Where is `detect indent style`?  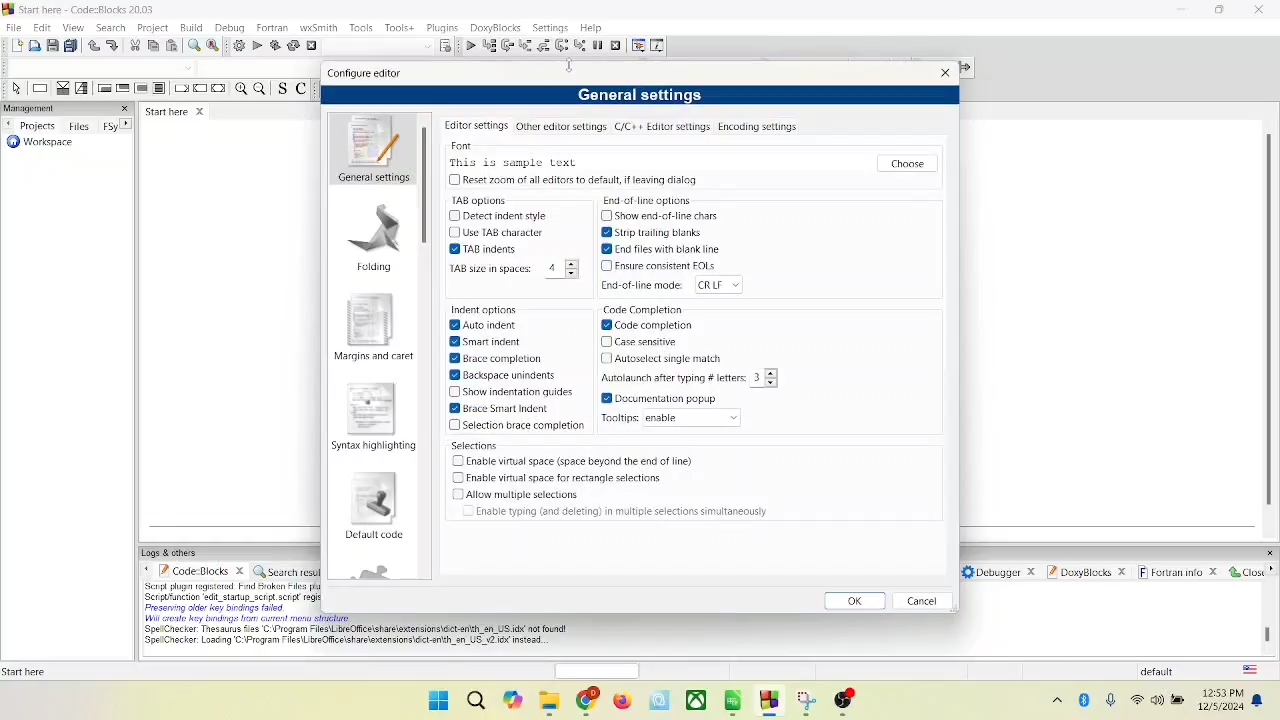
detect indent style is located at coordinates (494, 216).